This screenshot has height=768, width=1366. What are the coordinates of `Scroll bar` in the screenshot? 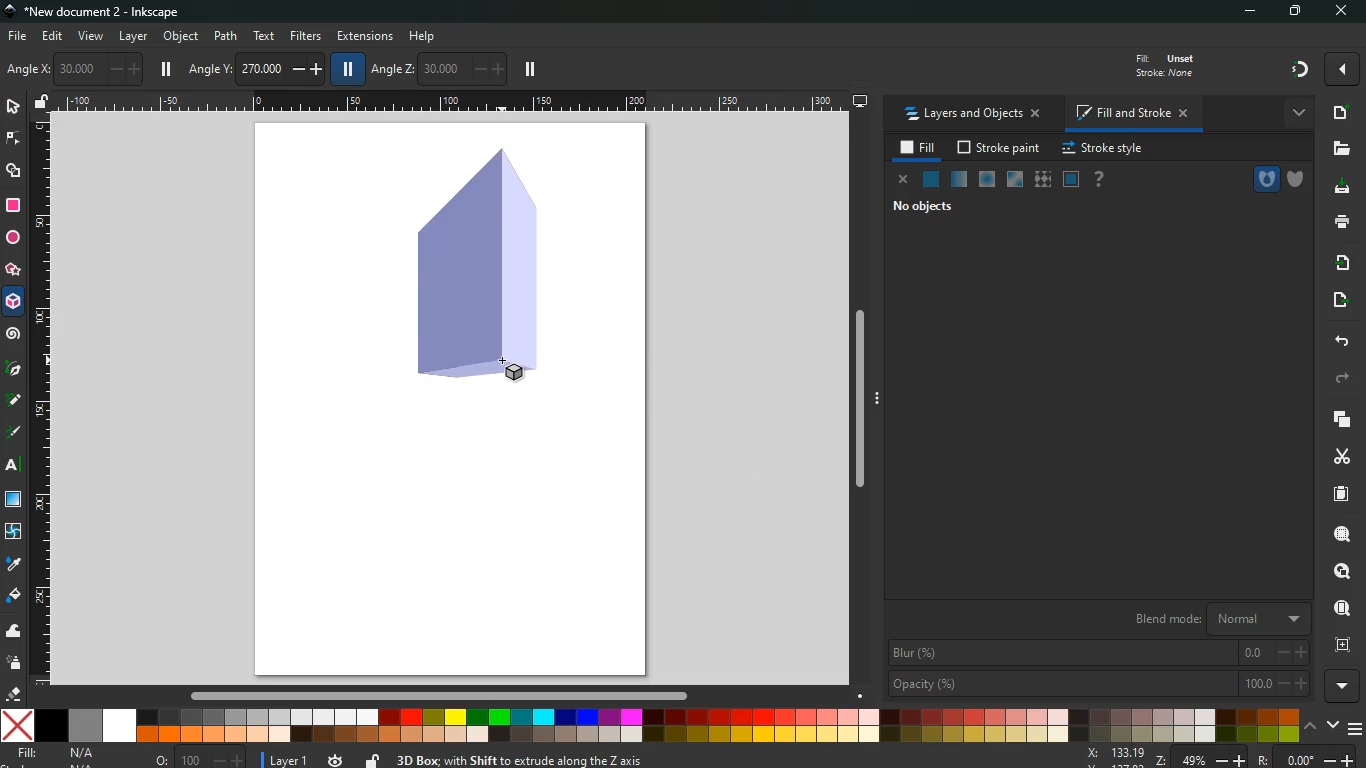 It's located at (436, 696).